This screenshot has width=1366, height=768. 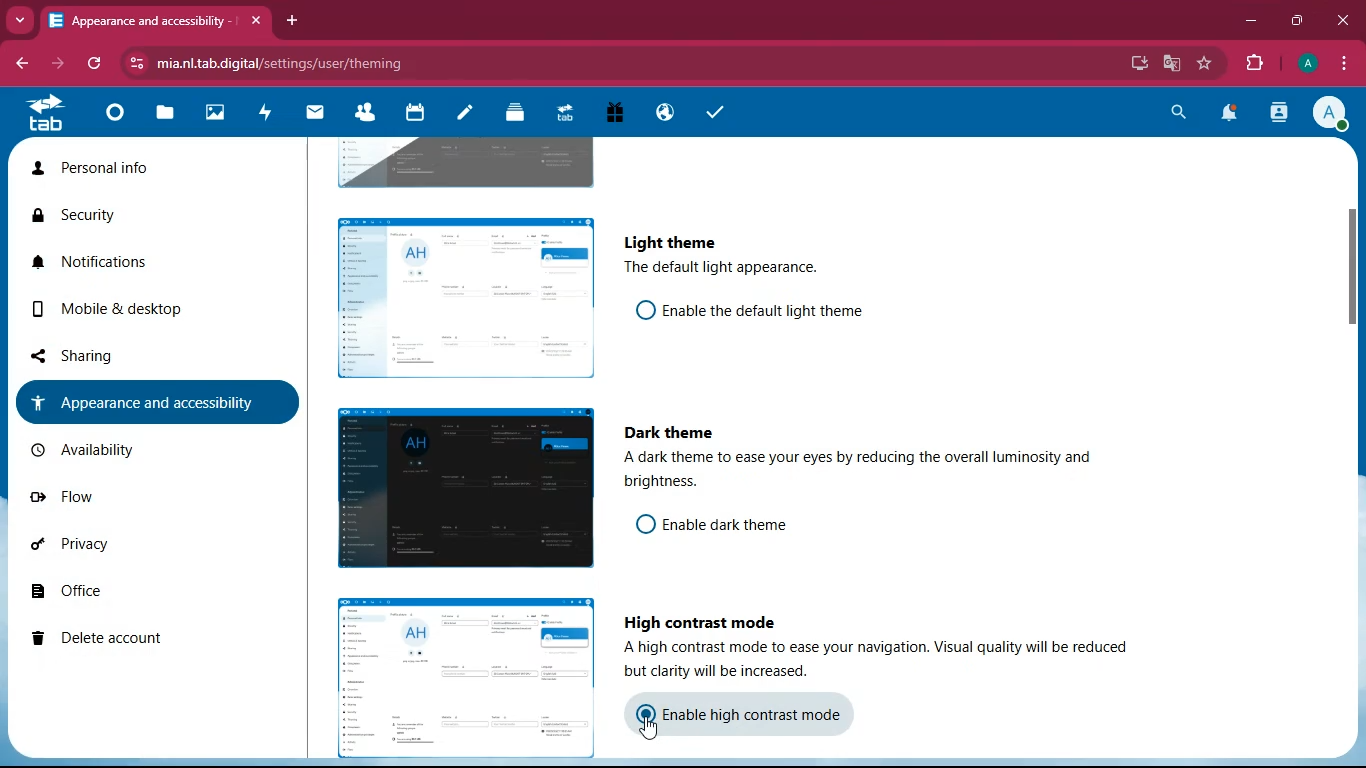 I want to click on public, so click(x=662, y=114).